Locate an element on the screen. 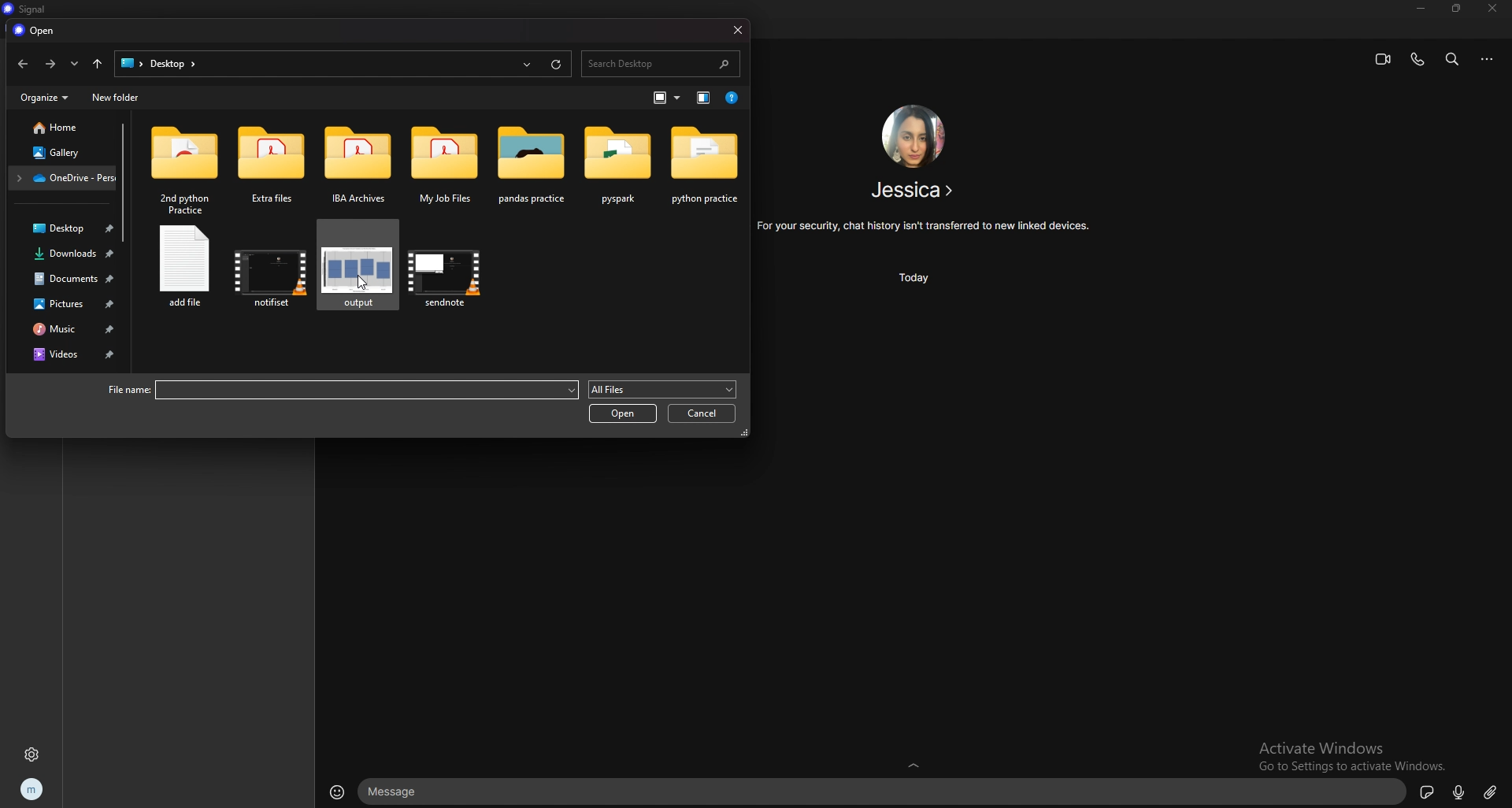  voice type is located at coordinates (1459, 791).